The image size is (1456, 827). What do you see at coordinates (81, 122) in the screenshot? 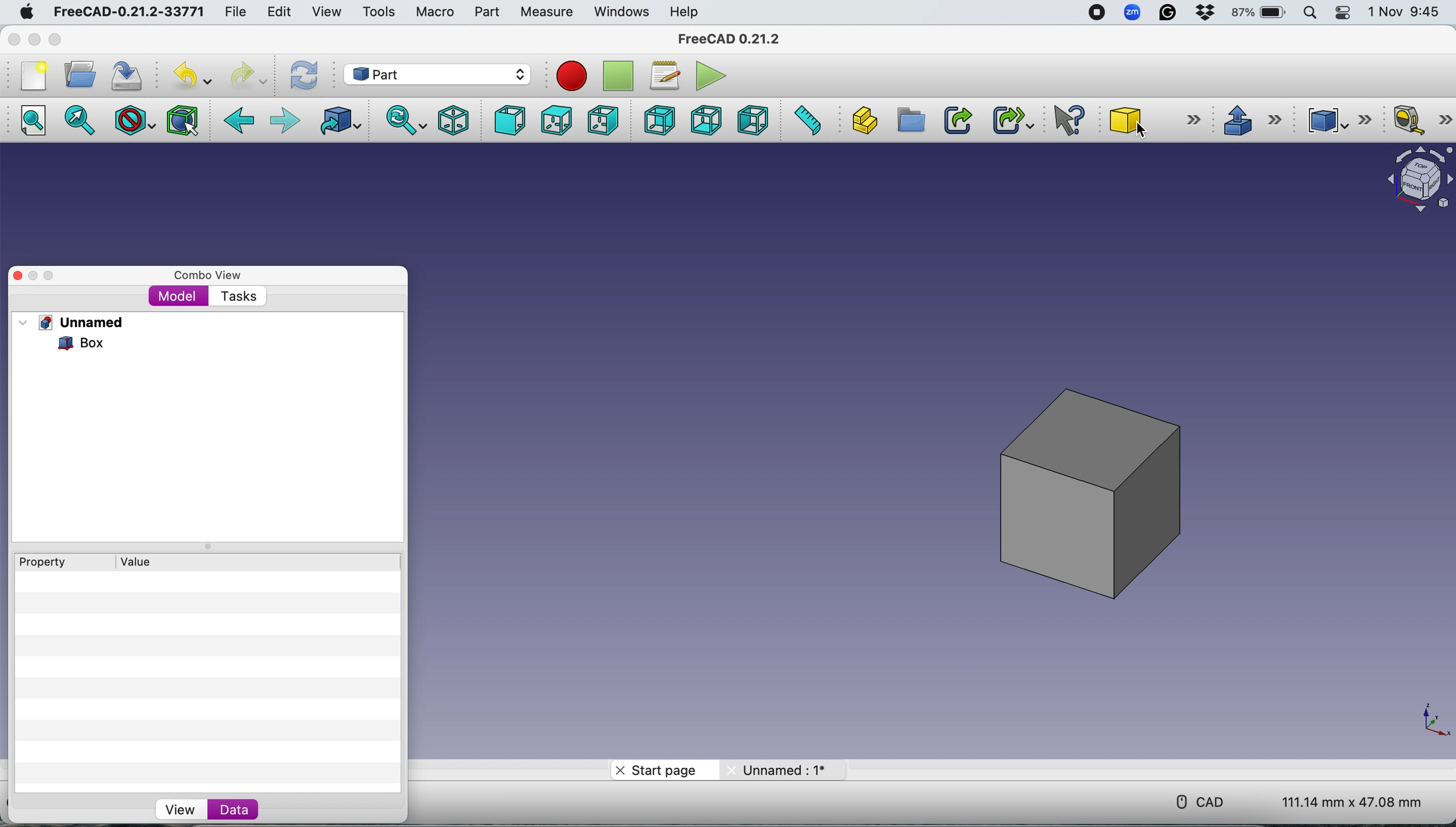
I see `Fit selection` at bounding box center [81, 122].